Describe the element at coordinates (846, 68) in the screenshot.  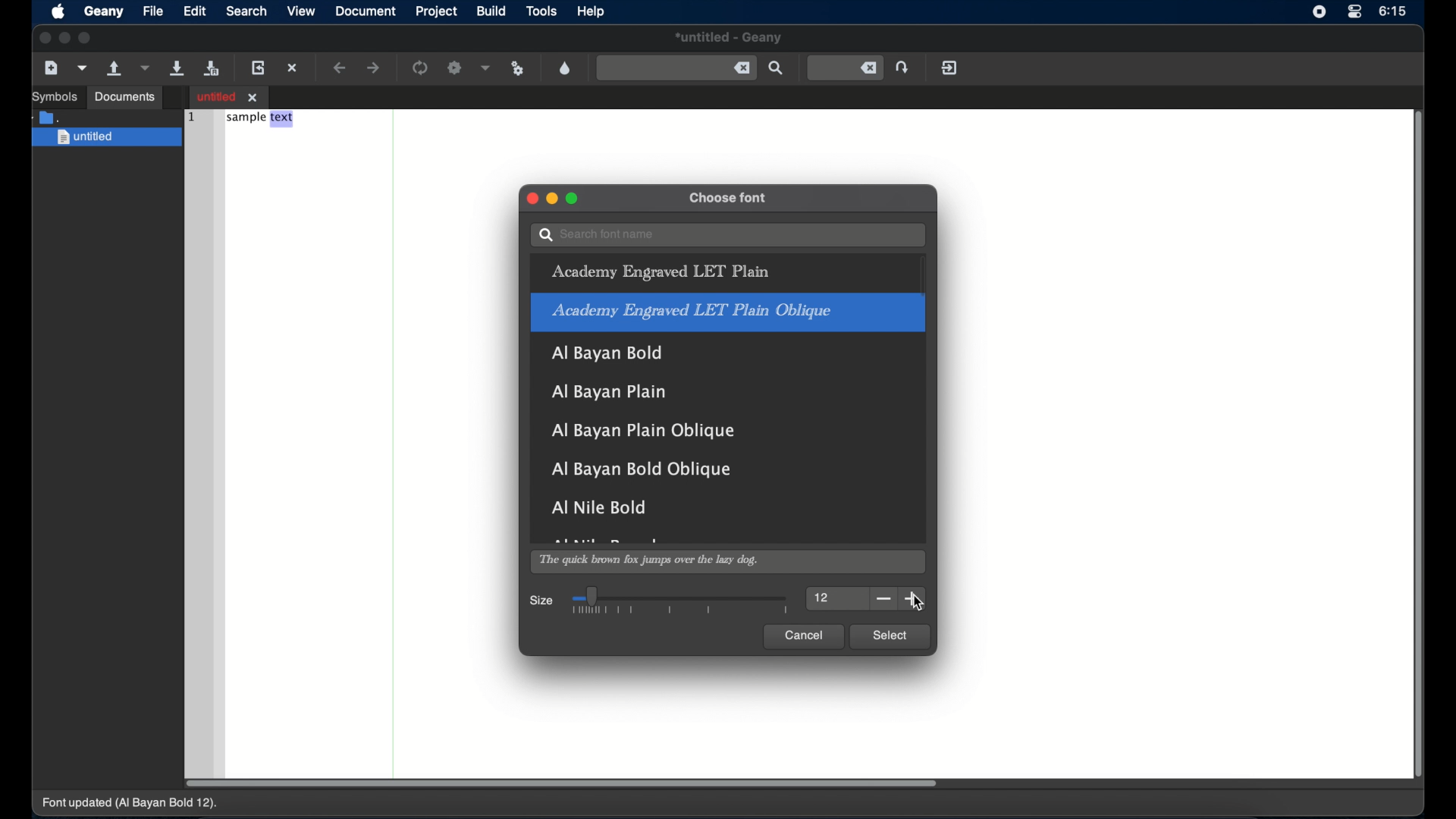
I see `jump to entered line number` at that location.